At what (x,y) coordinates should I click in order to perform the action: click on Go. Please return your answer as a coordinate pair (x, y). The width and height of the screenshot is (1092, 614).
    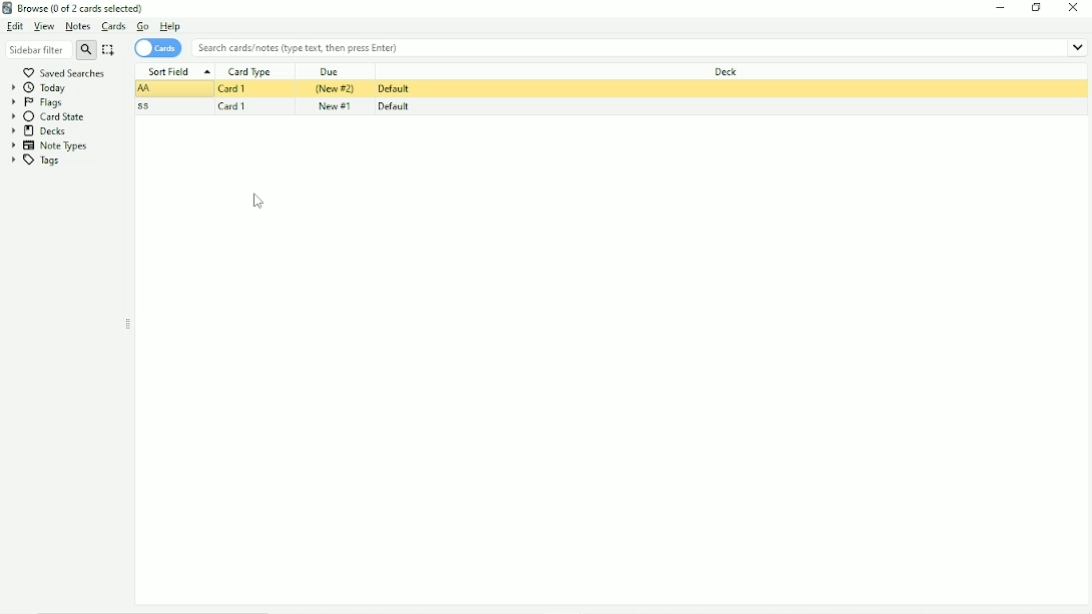
    Looking at the image, I should click on (143, 27).